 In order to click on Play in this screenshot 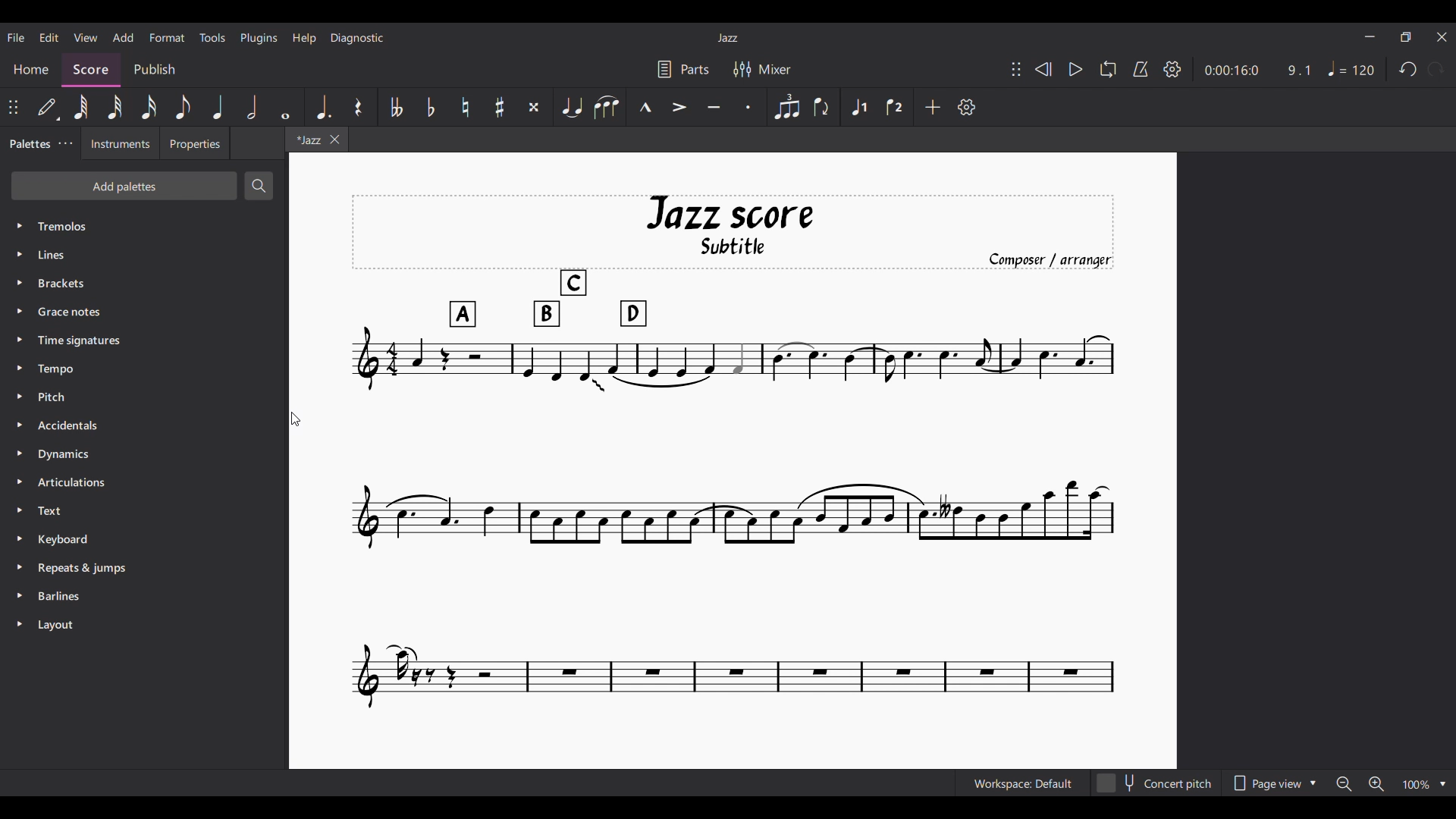, I will do `click(1076, 70)`.